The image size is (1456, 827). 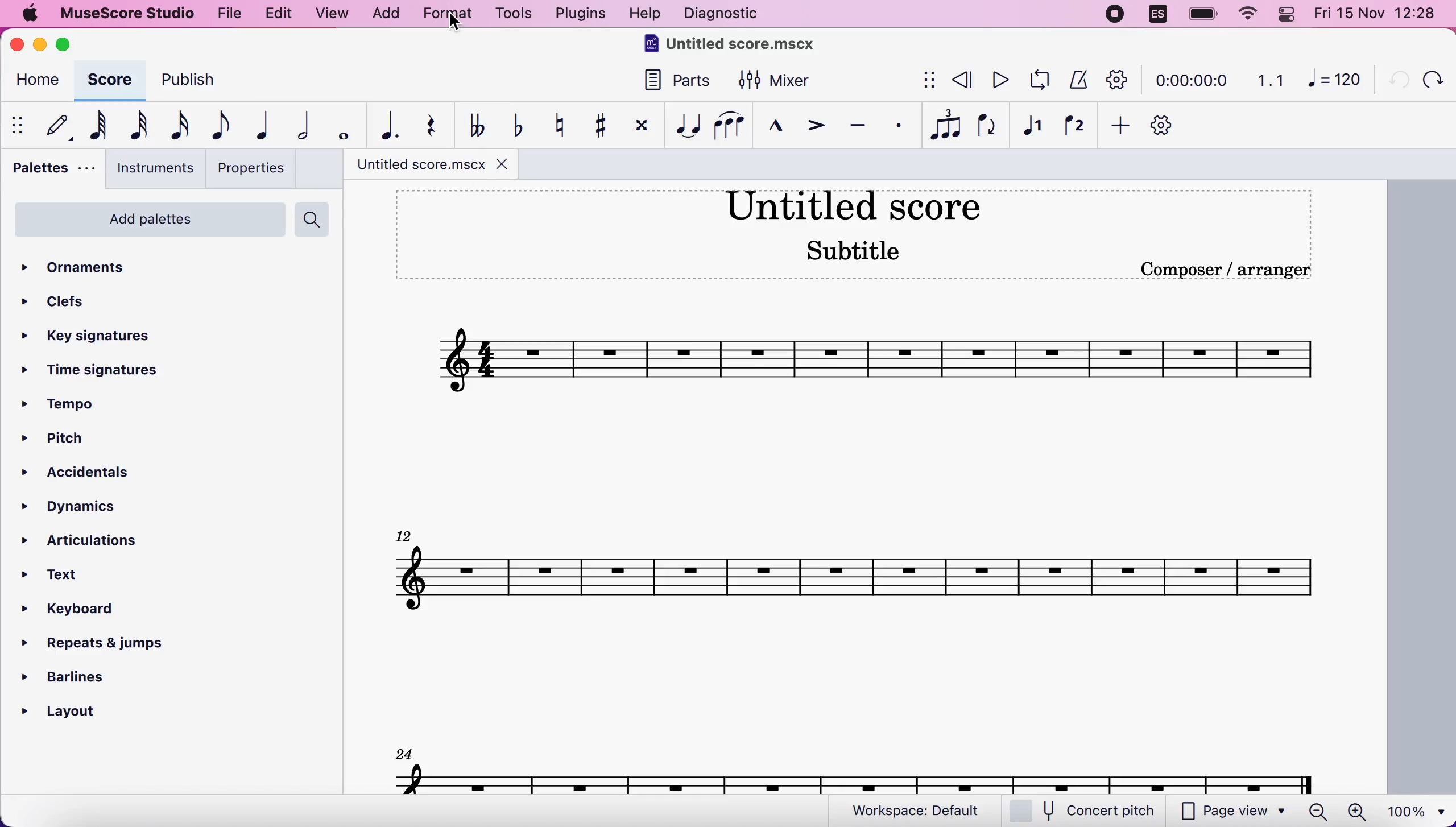 What do you see at coordinates (1356, 812) in the screenshot?
I see `zoom in` at bounding box center [1356, 812].